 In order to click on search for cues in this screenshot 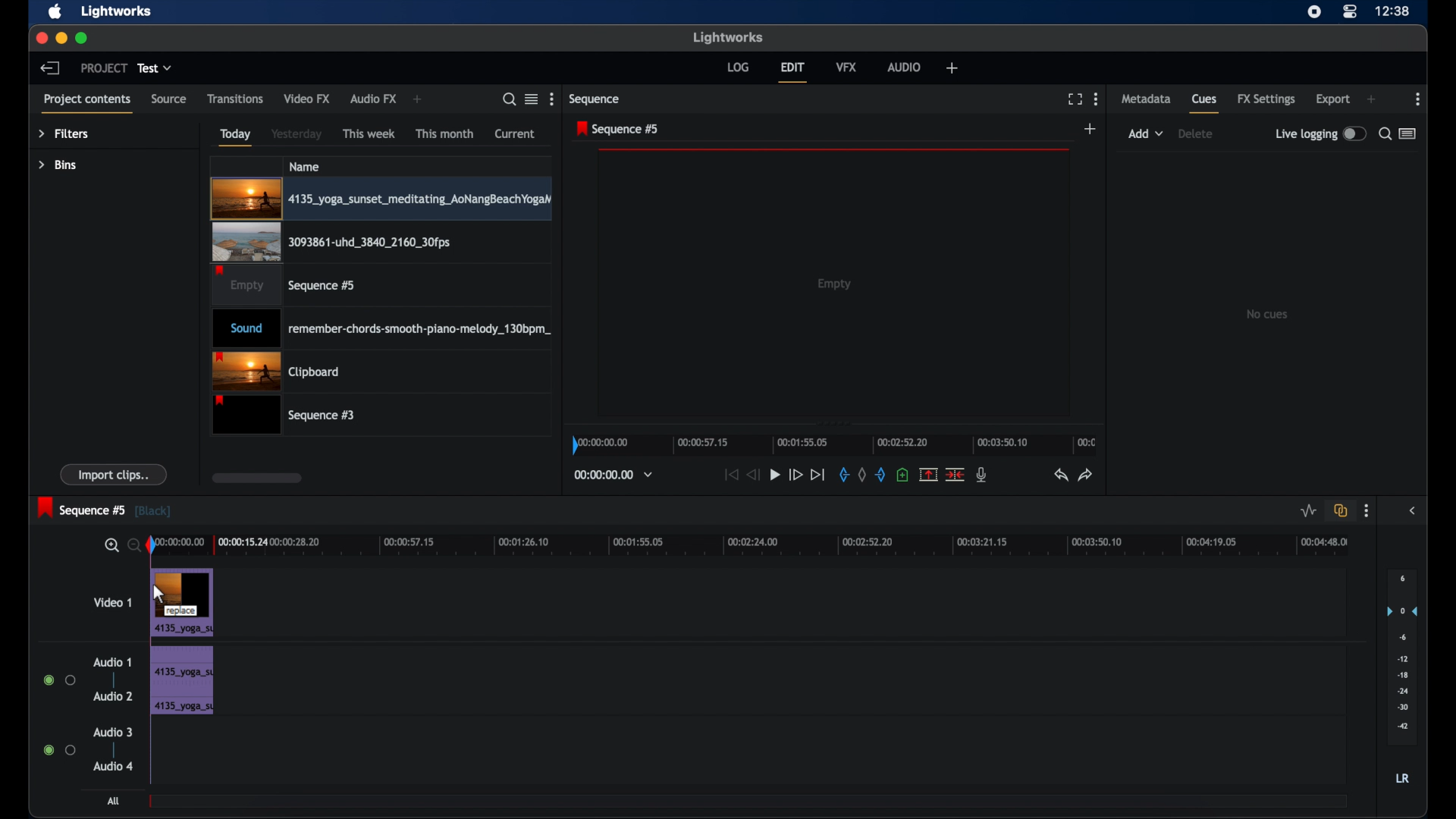, I will do `click(1384, 133)`.